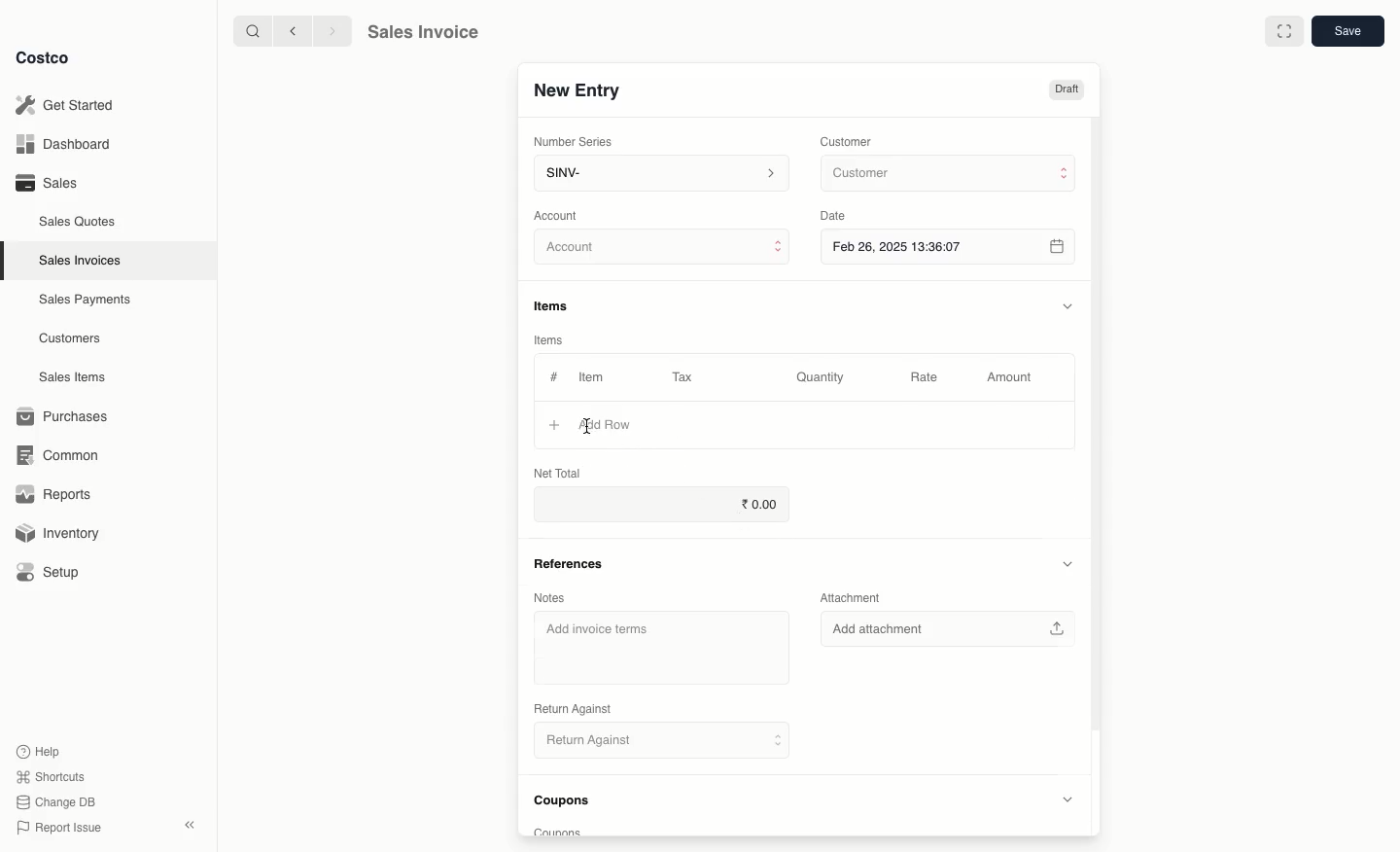 Image resolution: width=1400 pixels, height=852 pixels. Describe the element at coordinates (70, 337) in the screenshot. I see `Customers` at that location.